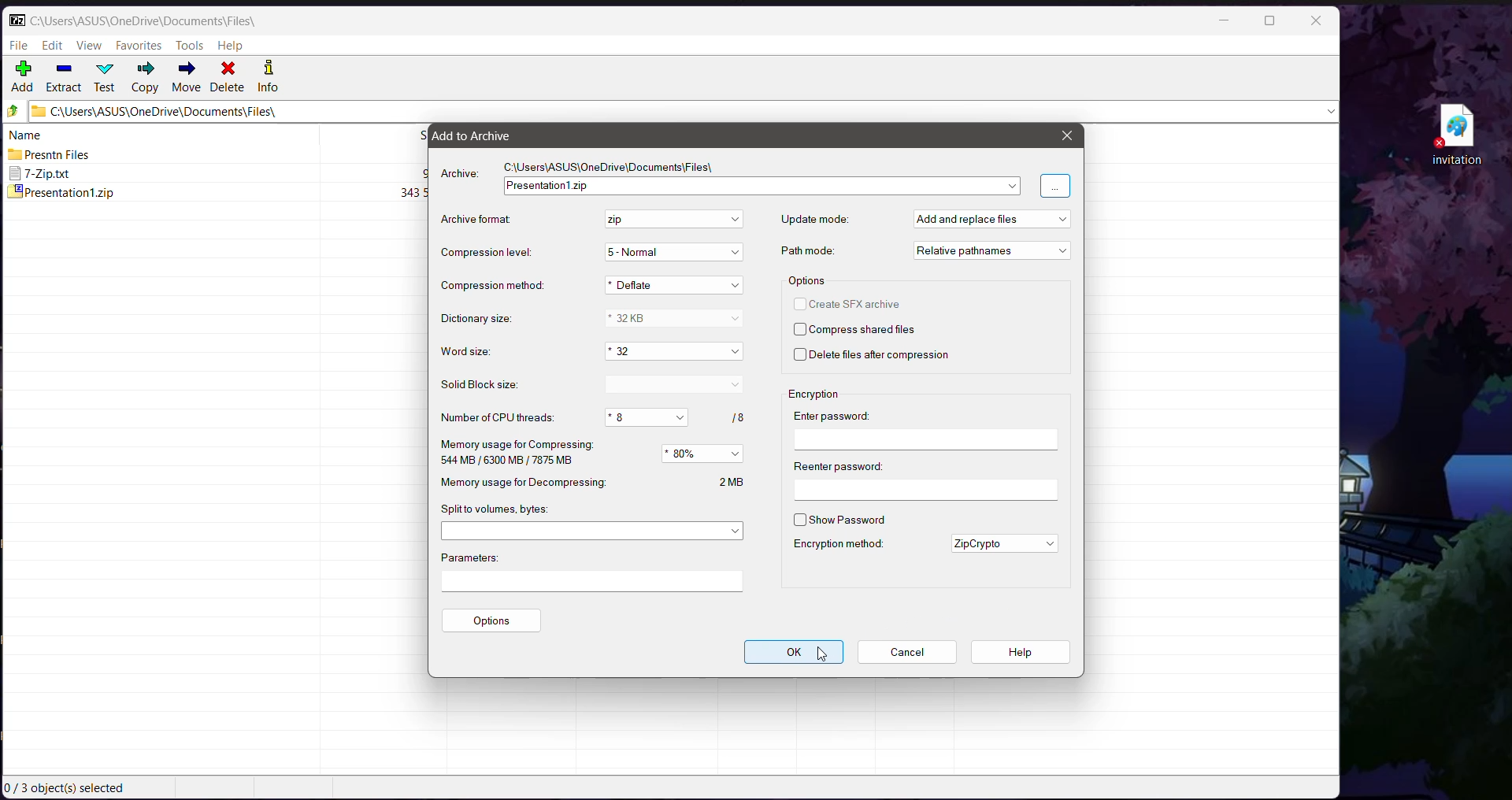 The image size is (1512, 800). What do you see at coordinates (761, 186) in the screenshot?
I see `Archive Folder Name` at bounding box center [761, 186].